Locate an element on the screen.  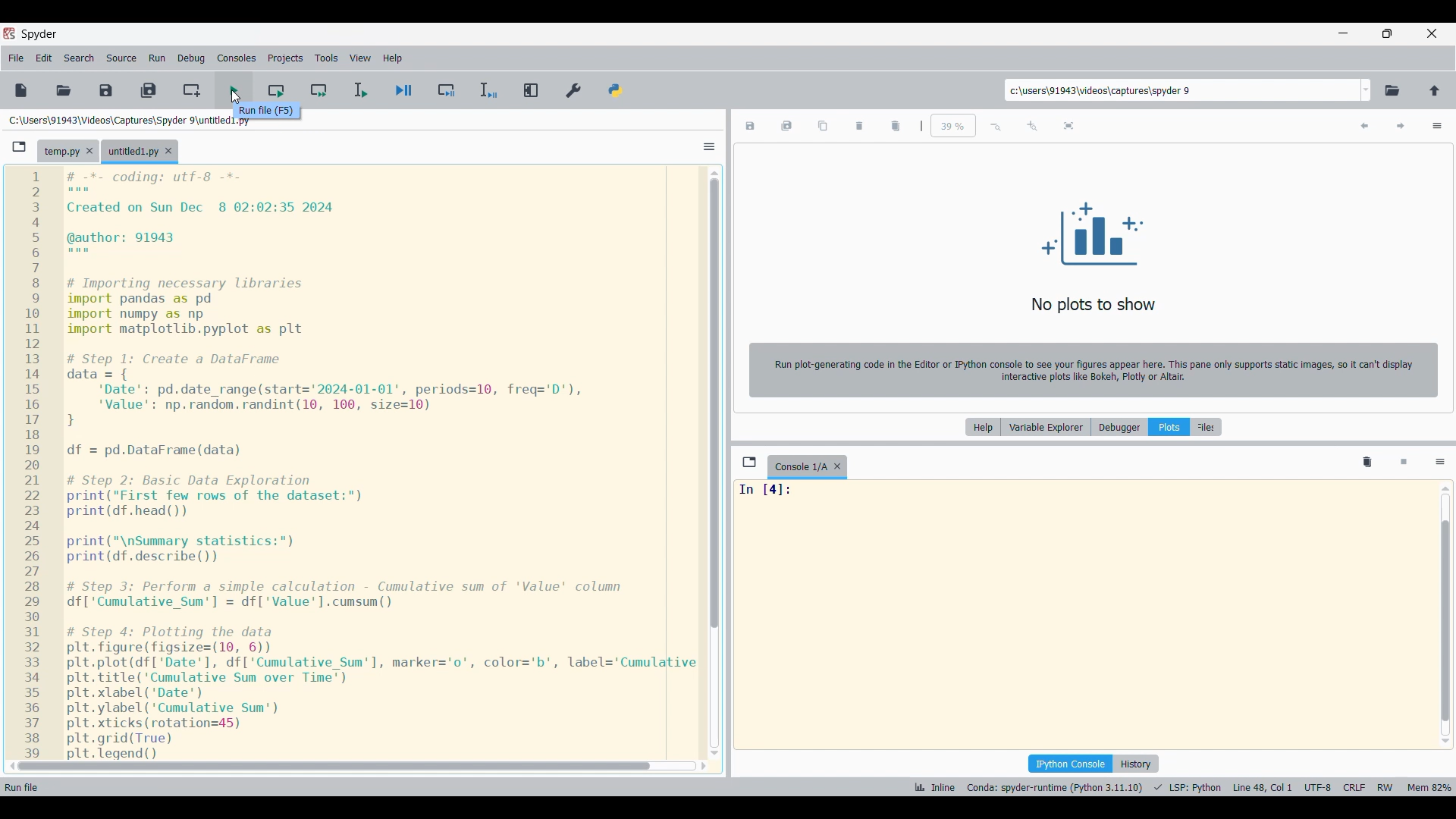
Horizontal slide bar is located at coordinates (358, 767).